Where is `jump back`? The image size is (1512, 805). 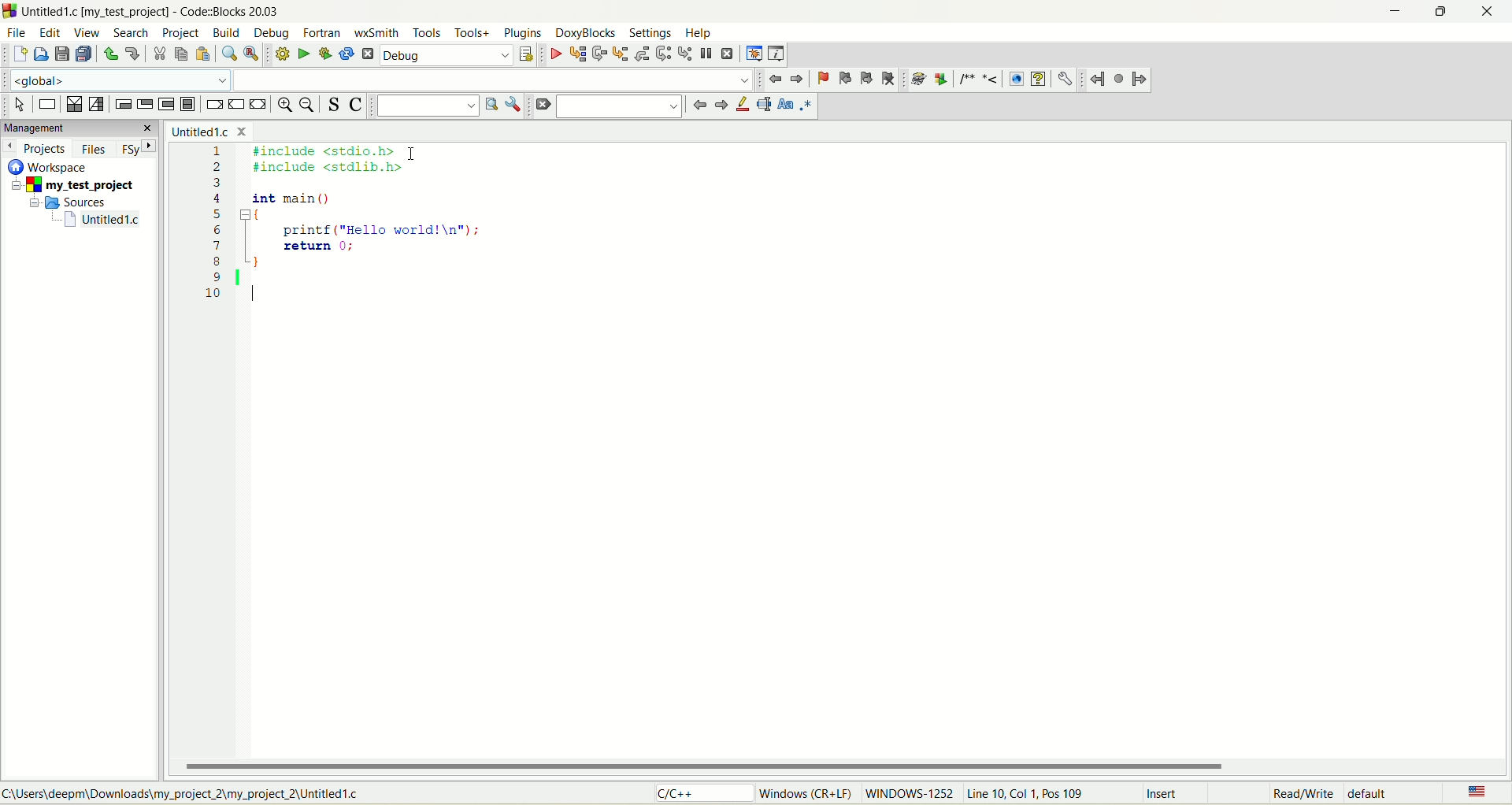
jump back is located at coordinates (1098, 80).